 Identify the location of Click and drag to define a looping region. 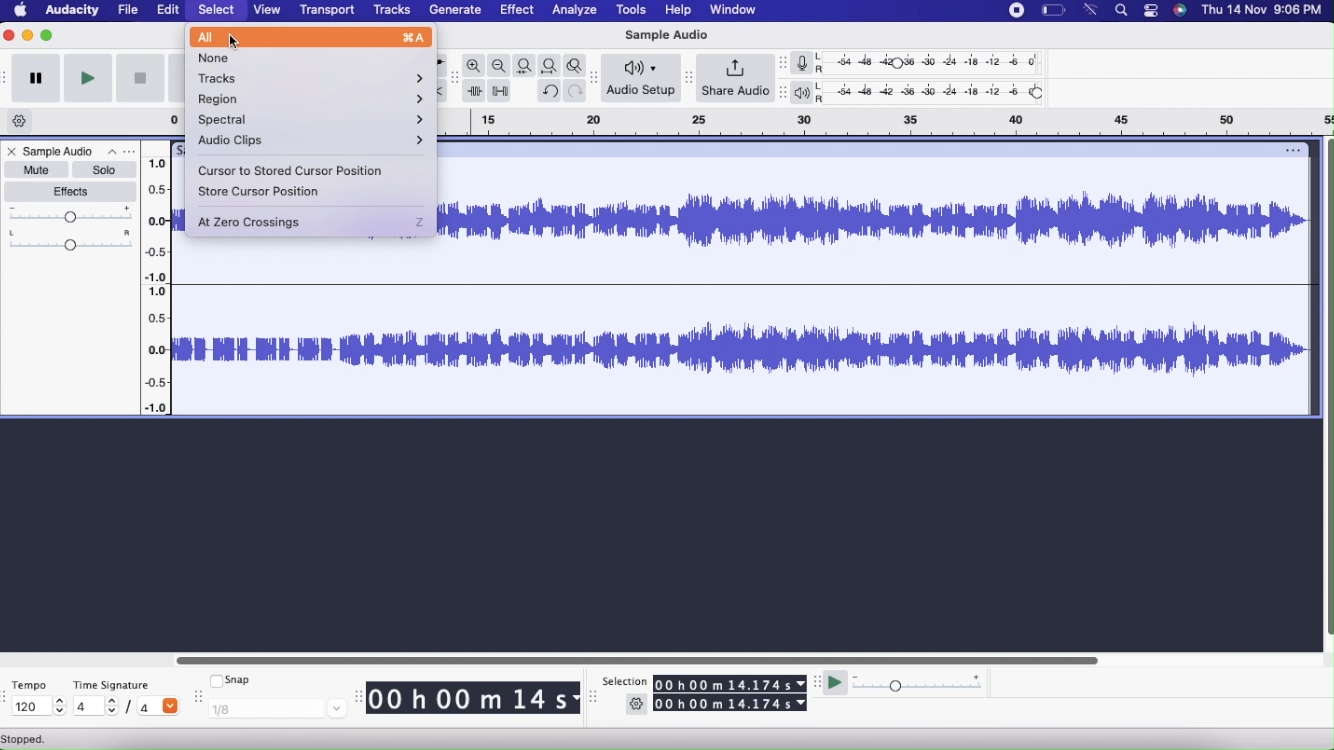
(878, 123).